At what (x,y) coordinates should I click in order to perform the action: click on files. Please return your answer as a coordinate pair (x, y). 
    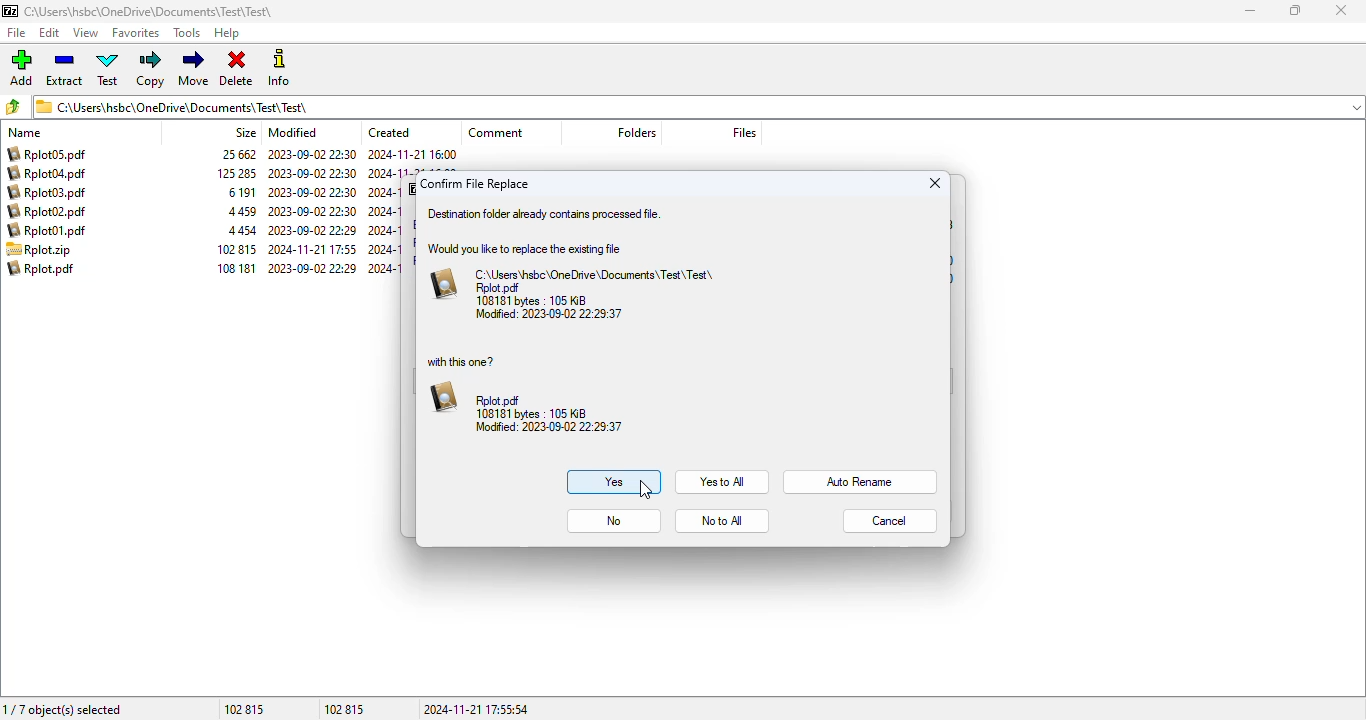
    Looking at the image, I should click on (744, 132).